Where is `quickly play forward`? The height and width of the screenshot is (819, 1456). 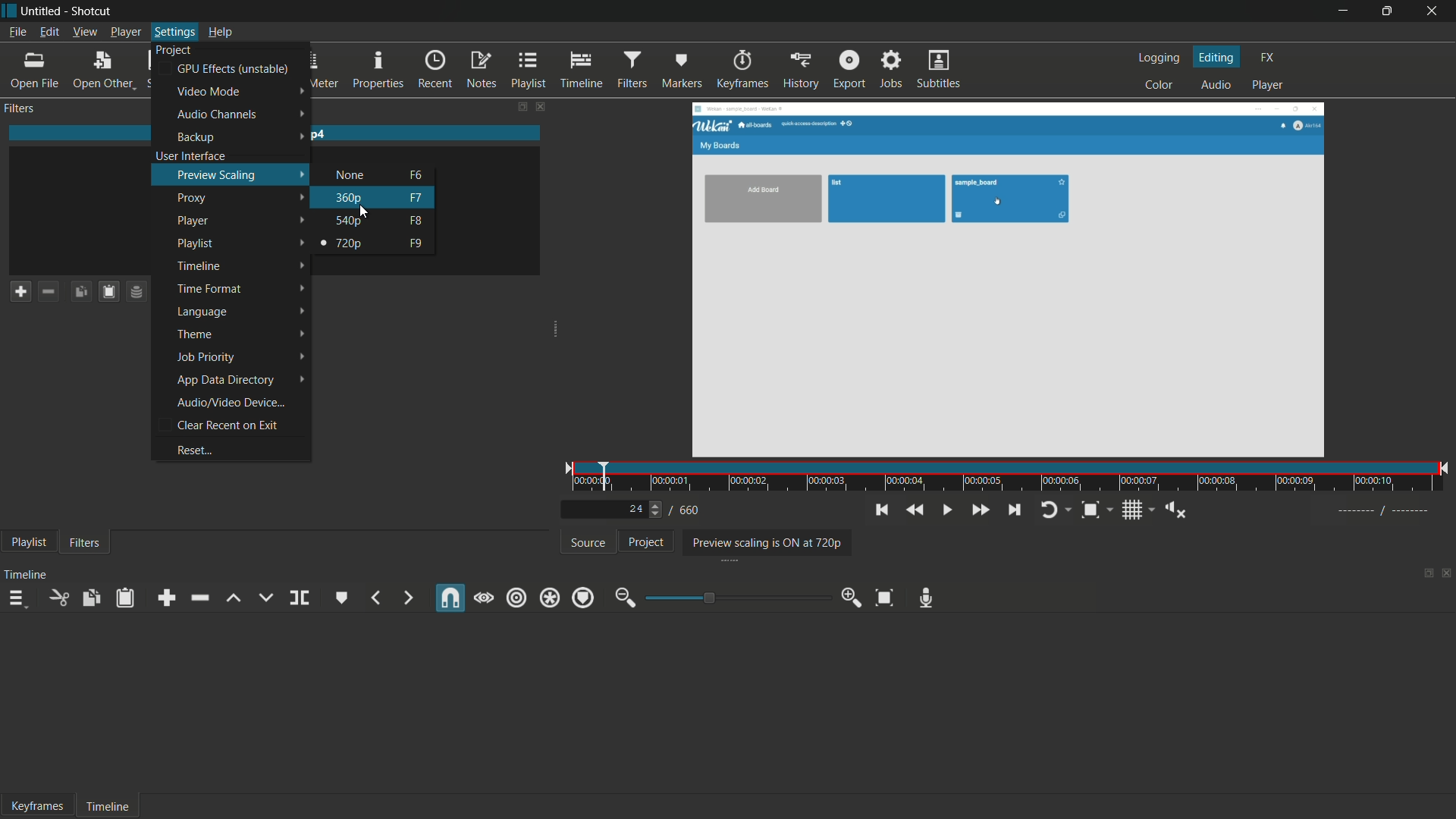 quickly play forward is located at coordinates (980, 510).